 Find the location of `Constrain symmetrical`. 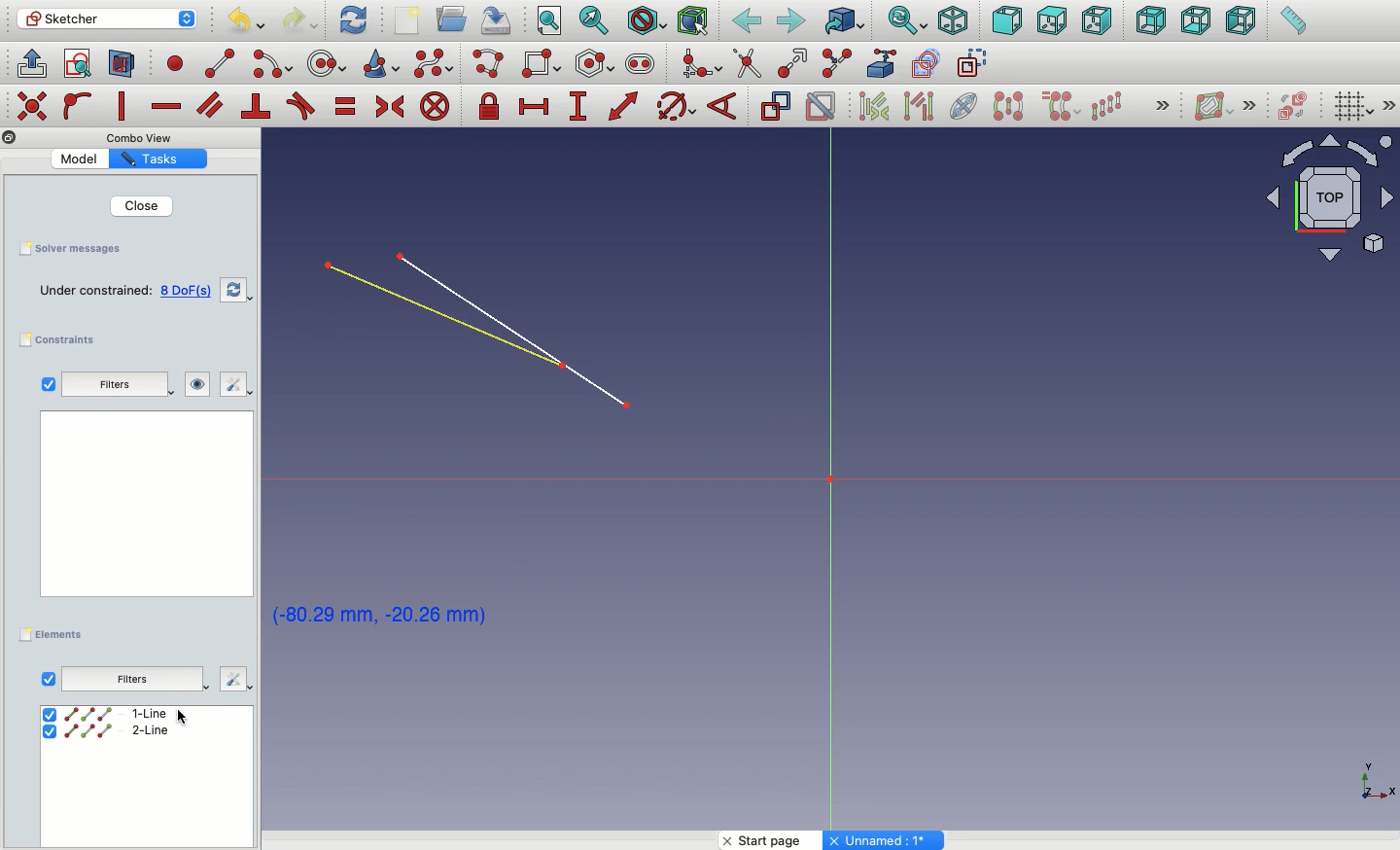

Constrain symmetrical is located at coordinates (390, 107).